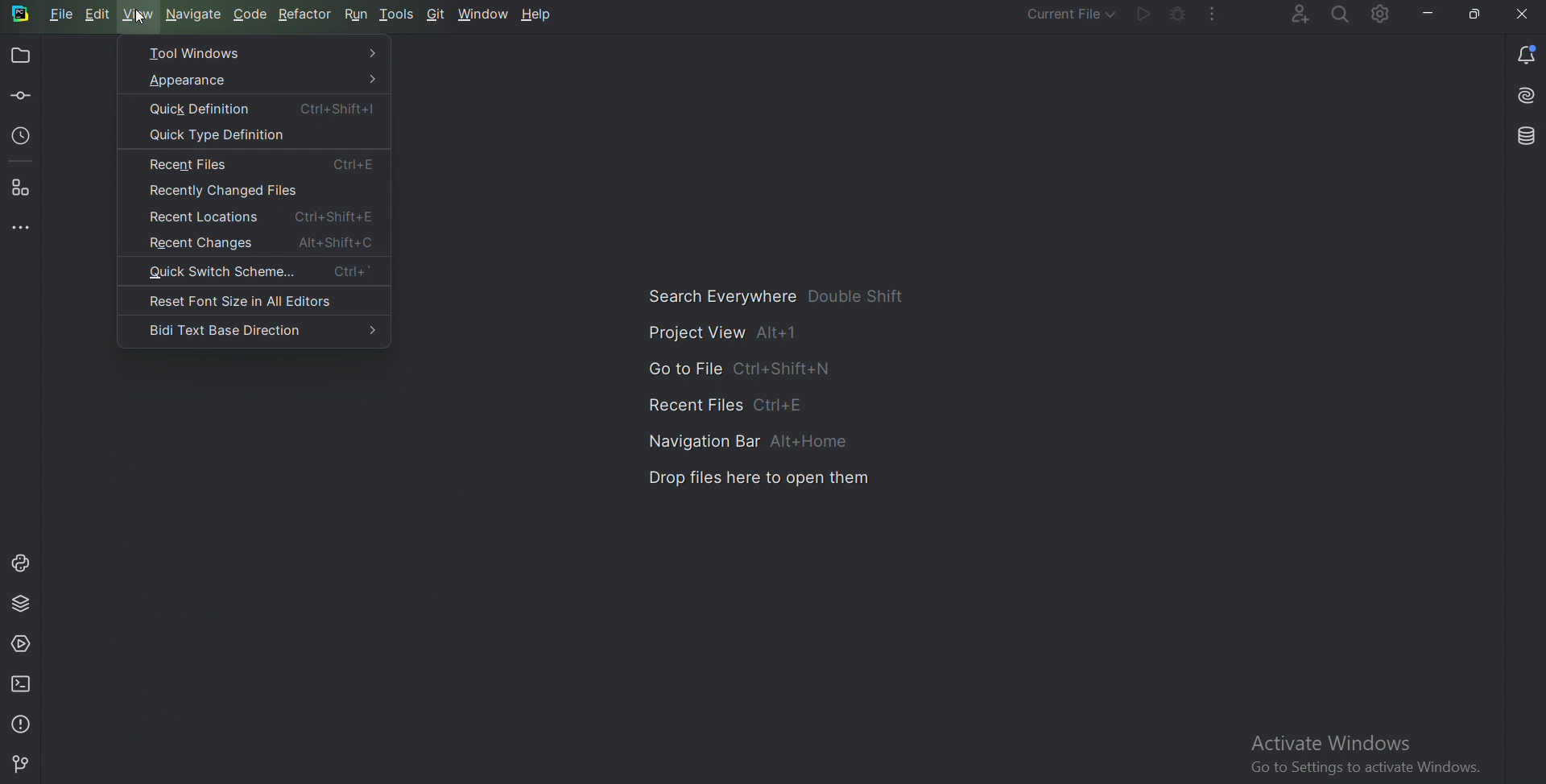  Describe the element at coordinates (723, 332) in the screenshot. I see `Project view` at that location.